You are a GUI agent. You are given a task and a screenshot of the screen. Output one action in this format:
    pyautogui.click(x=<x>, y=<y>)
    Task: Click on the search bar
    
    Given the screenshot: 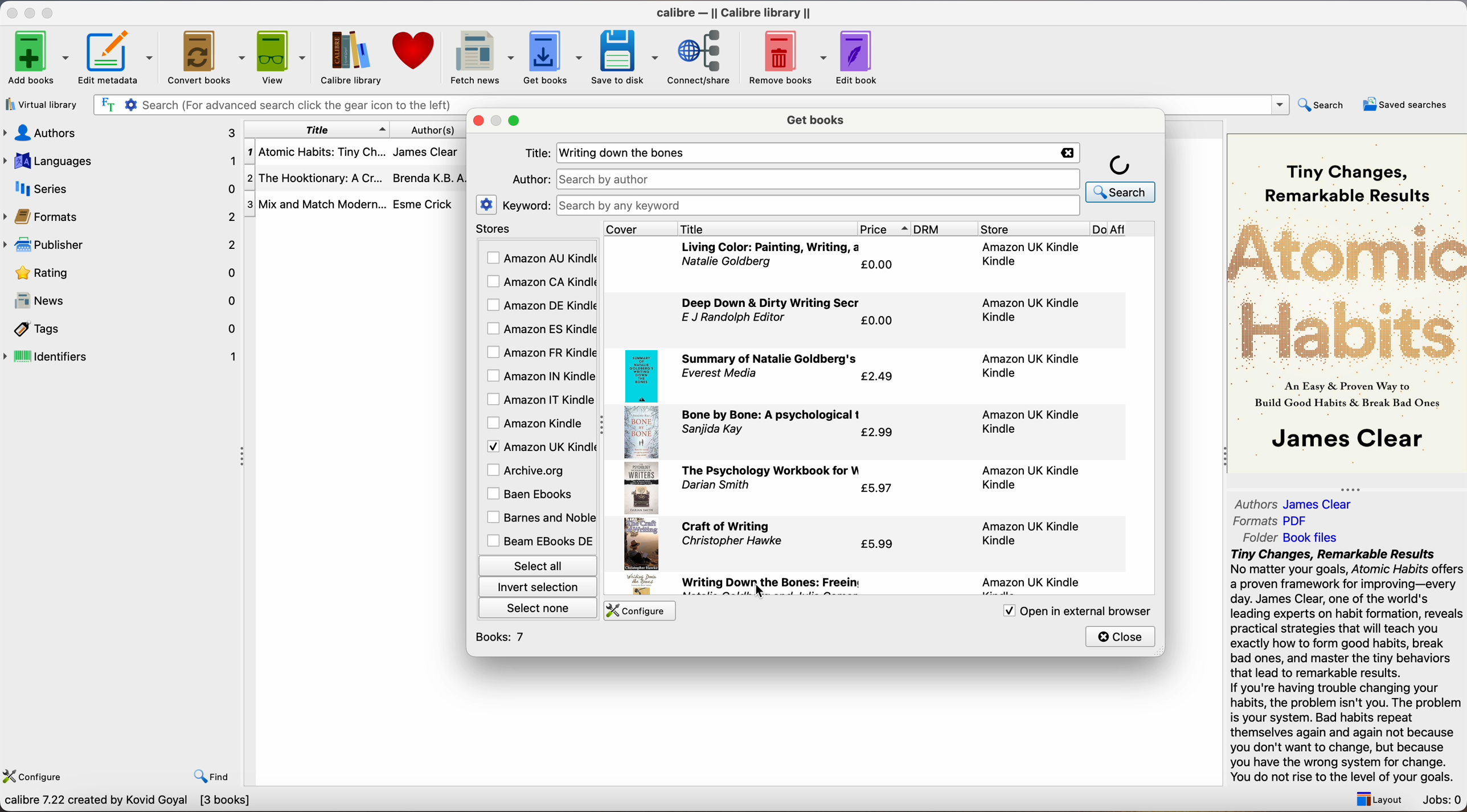 What is the action you would take?
    pyautogui.click(x=819, y=178)
    